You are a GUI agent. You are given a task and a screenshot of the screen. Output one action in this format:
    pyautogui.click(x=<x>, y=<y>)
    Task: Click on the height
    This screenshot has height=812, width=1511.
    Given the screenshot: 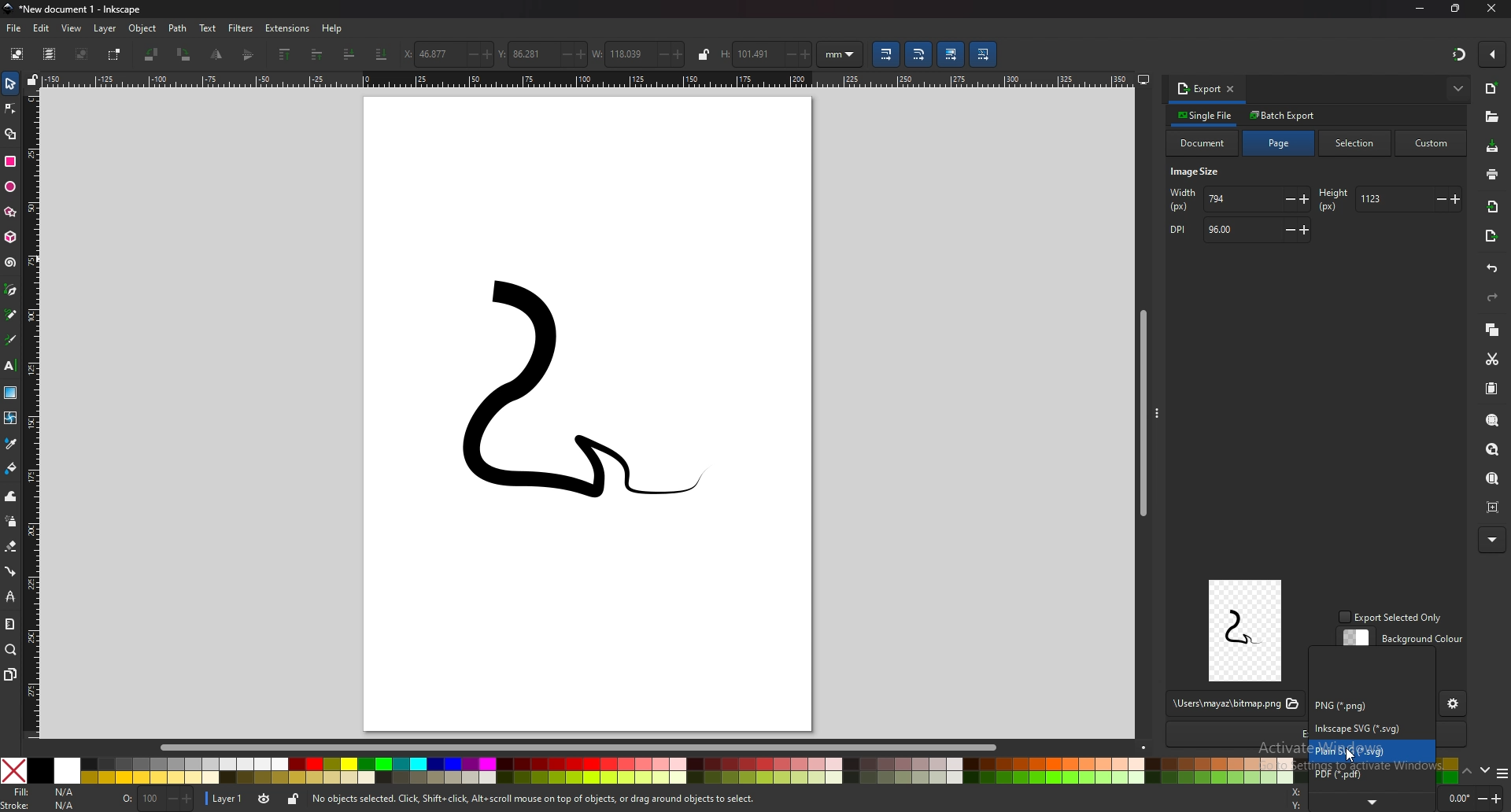 What is the action you would take?
    pyautogui.click(x=1388, y=199)
    